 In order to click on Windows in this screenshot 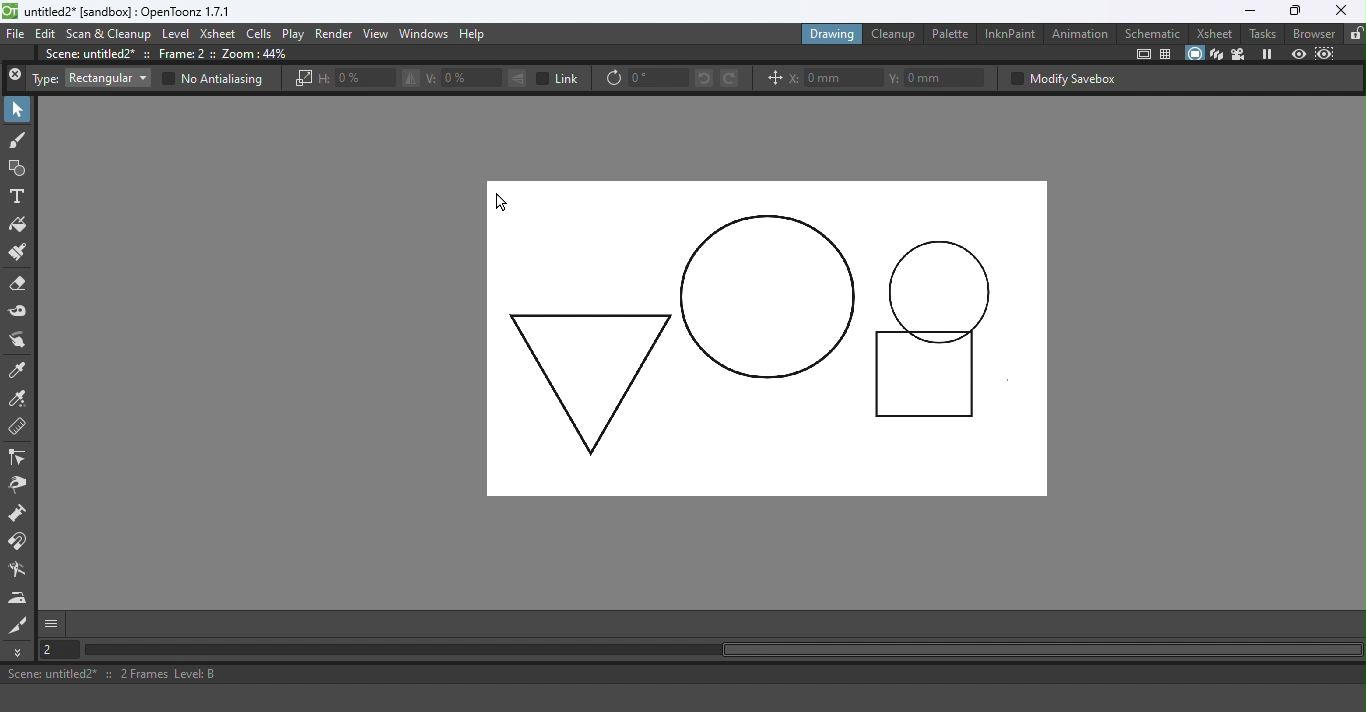, I will do `click(423, 35)`.